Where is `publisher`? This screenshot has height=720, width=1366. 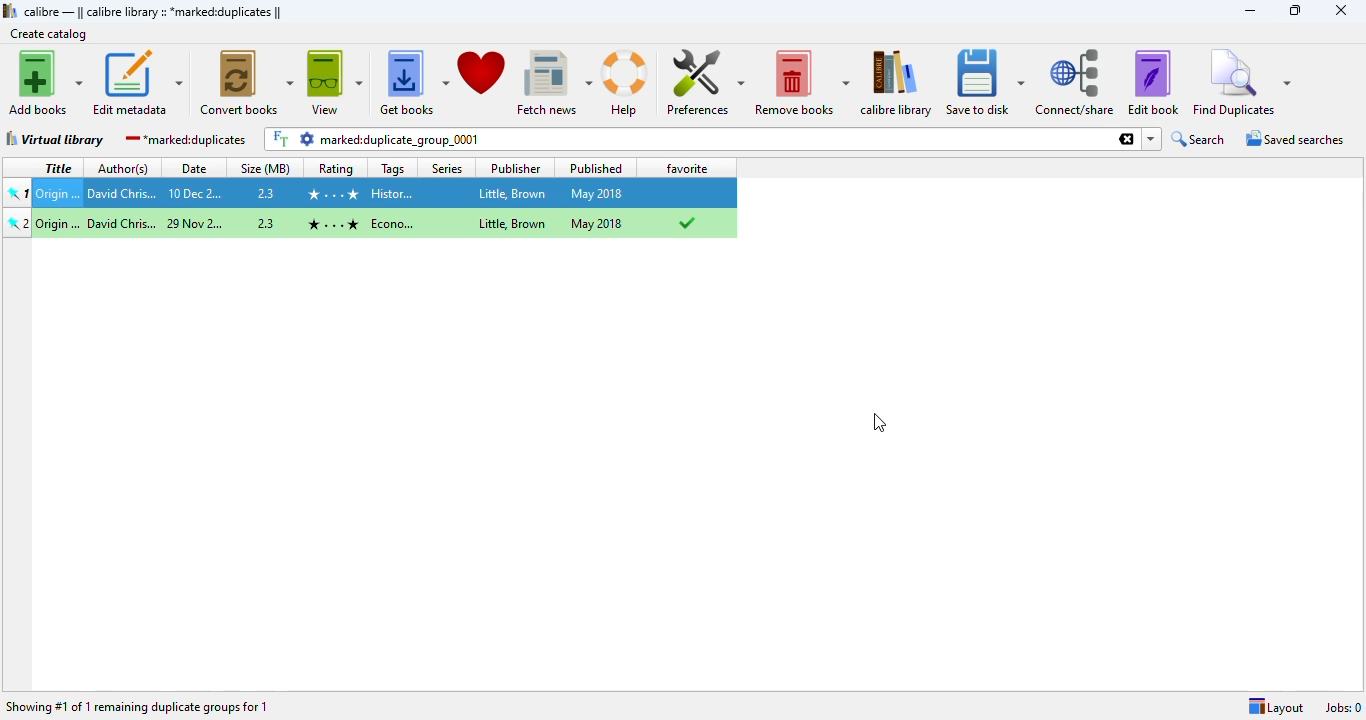
publisher is located at coordinates (521, 166).